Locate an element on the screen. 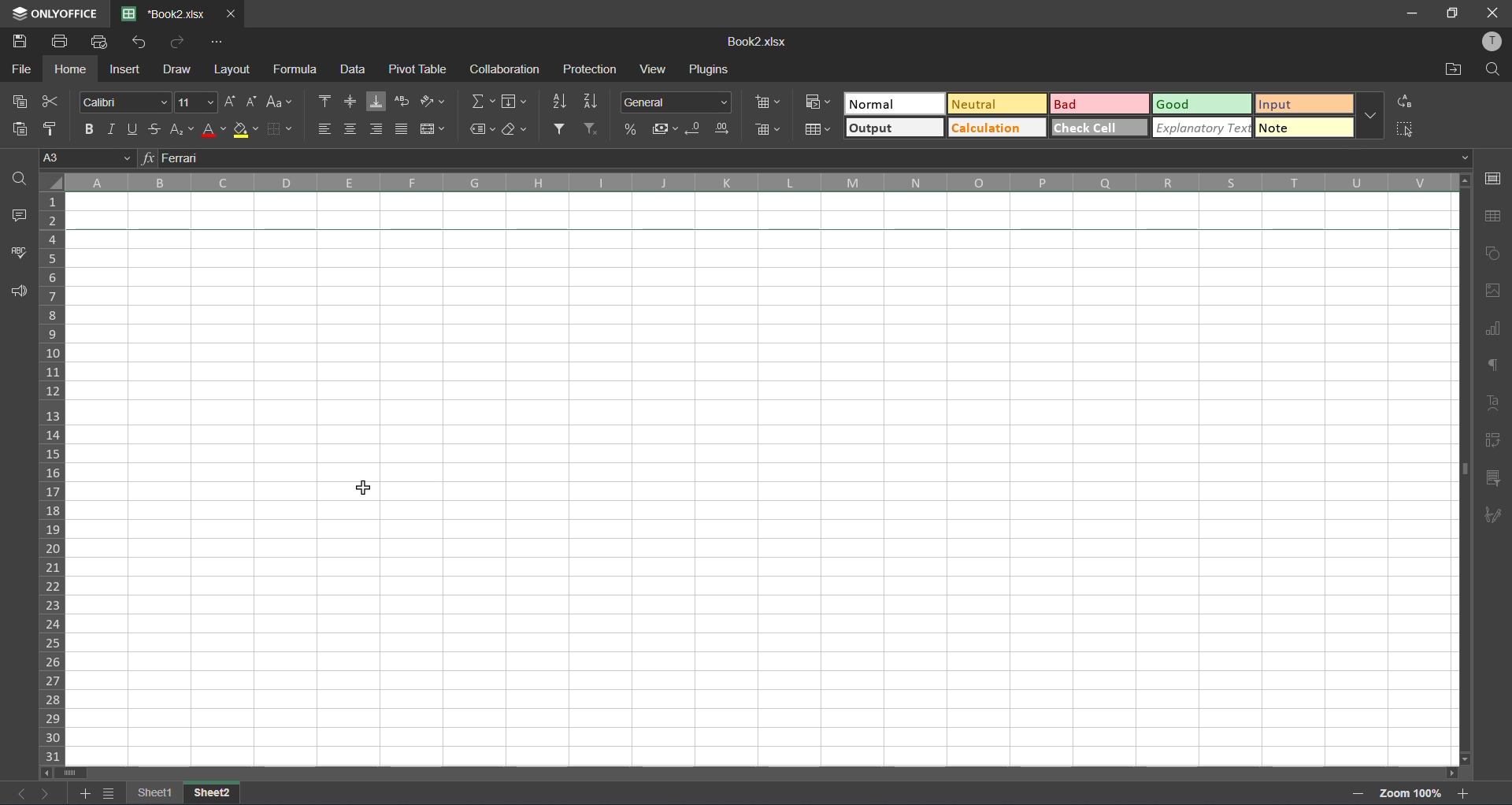 This screenshot has width=1512, height=805. data is located at coordinates (352, 69).